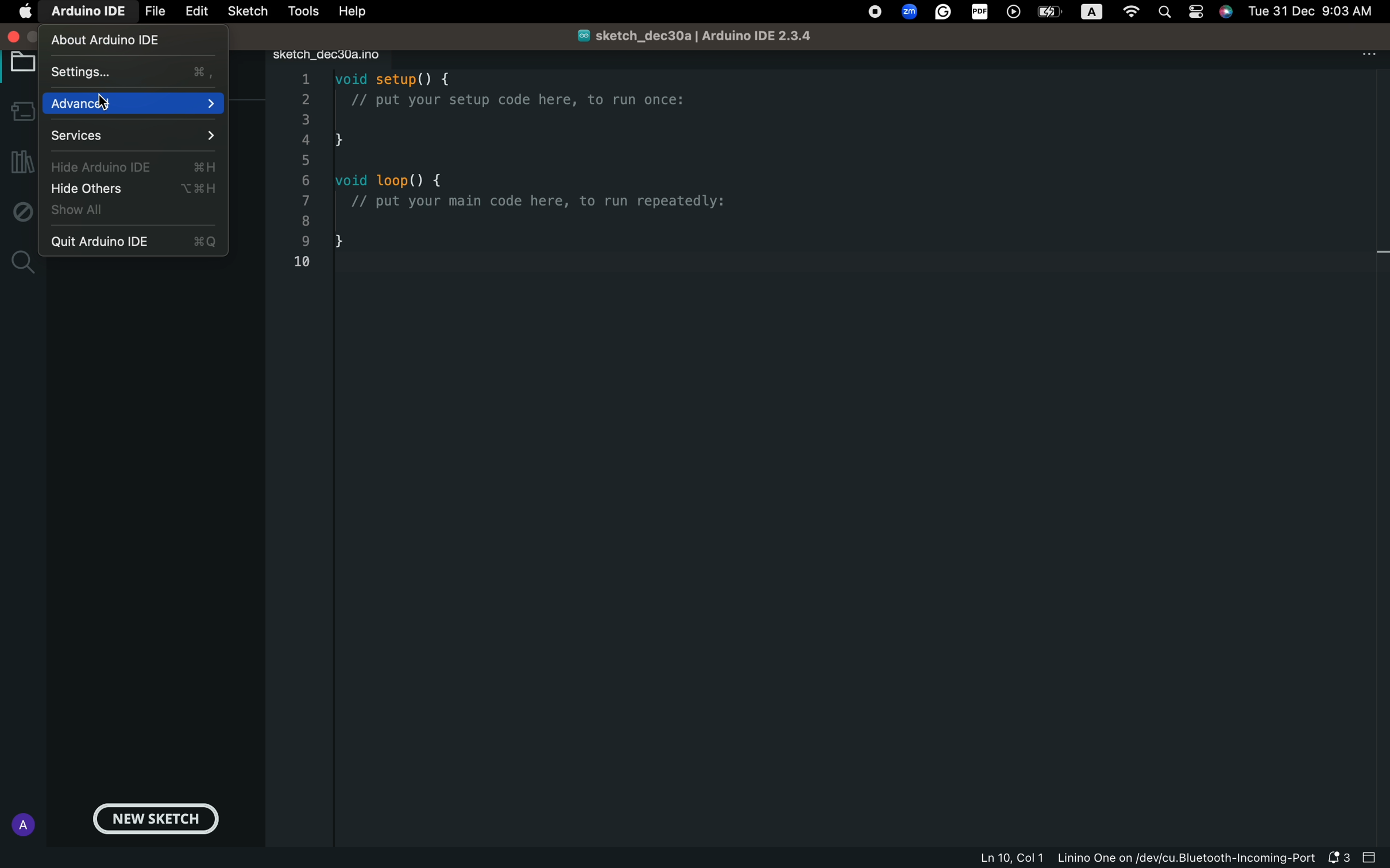 The height and width of the screenshot is (868, 1390). What do you see at coordinates (20, 64) in the screenshot?
I see `board` at bounding box center [20, 64].